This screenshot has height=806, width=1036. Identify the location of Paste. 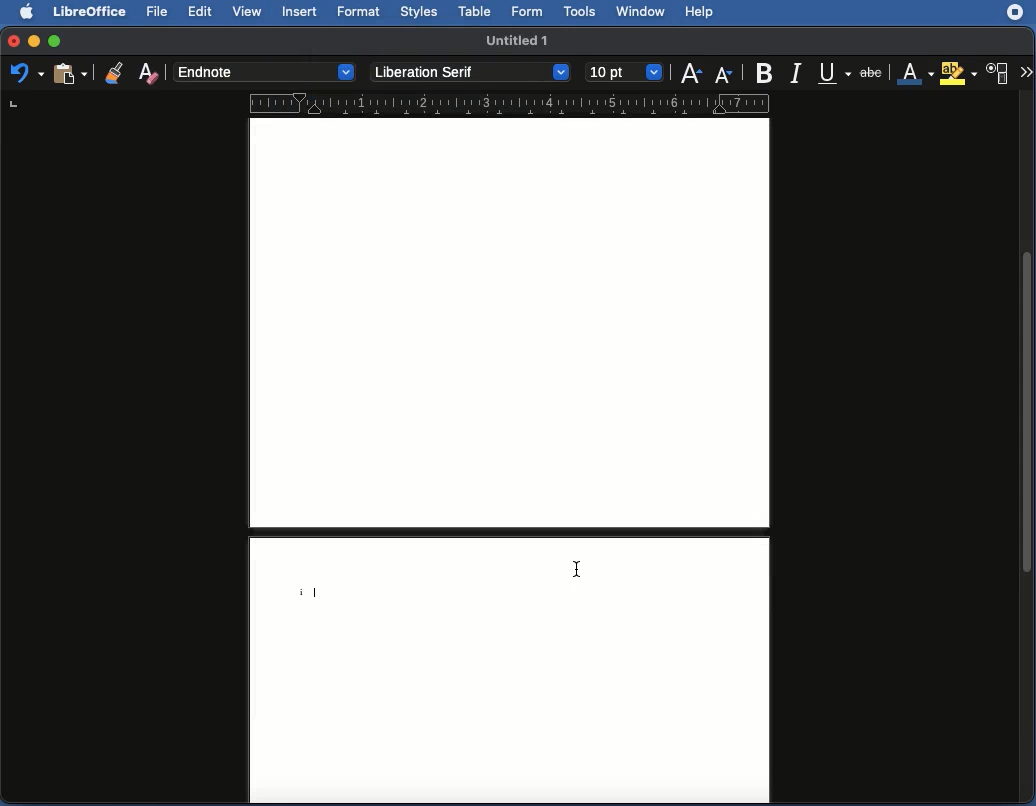
(69, 73).